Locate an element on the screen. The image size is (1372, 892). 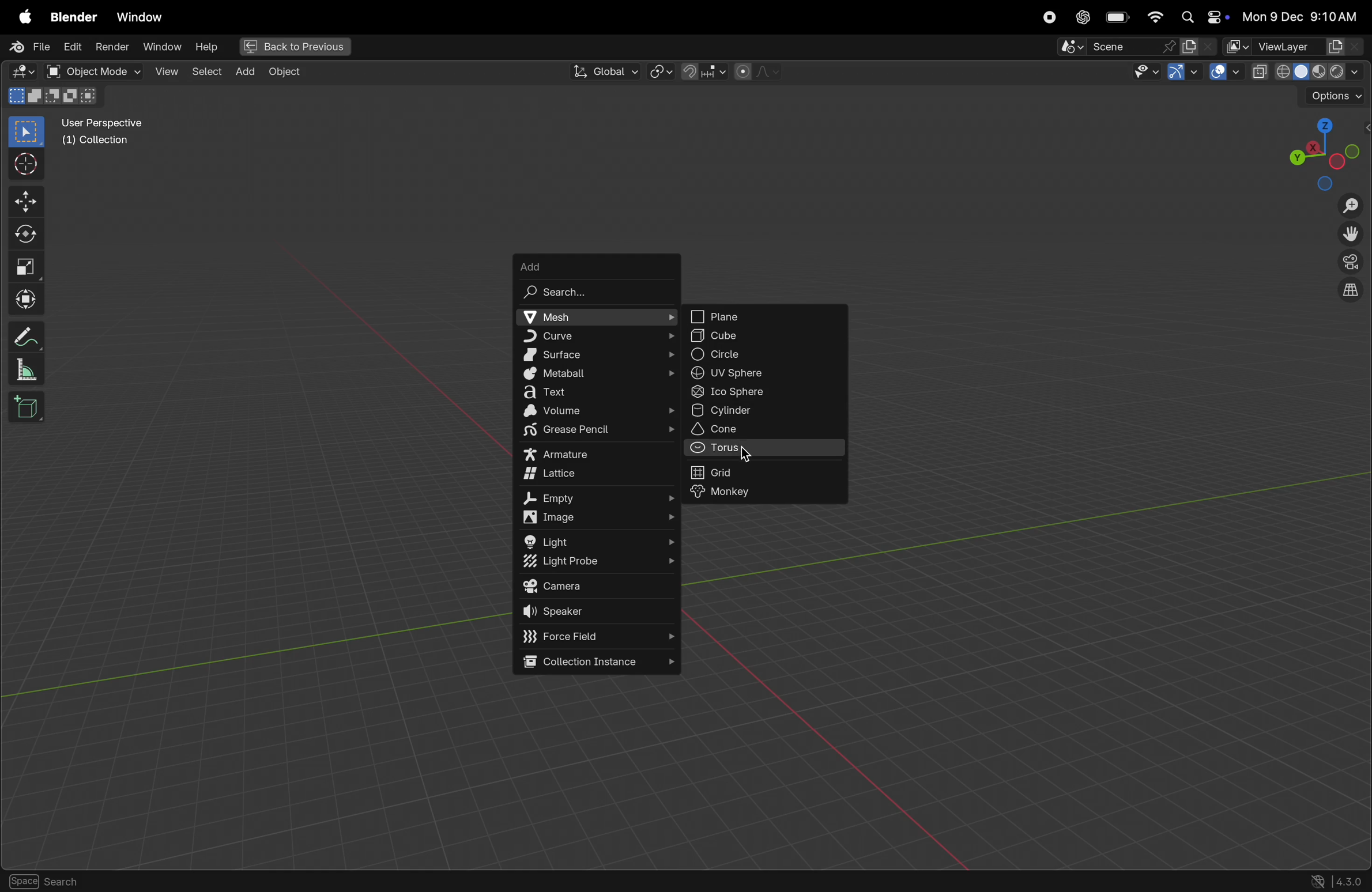
window is located at coordinates (161, 47).